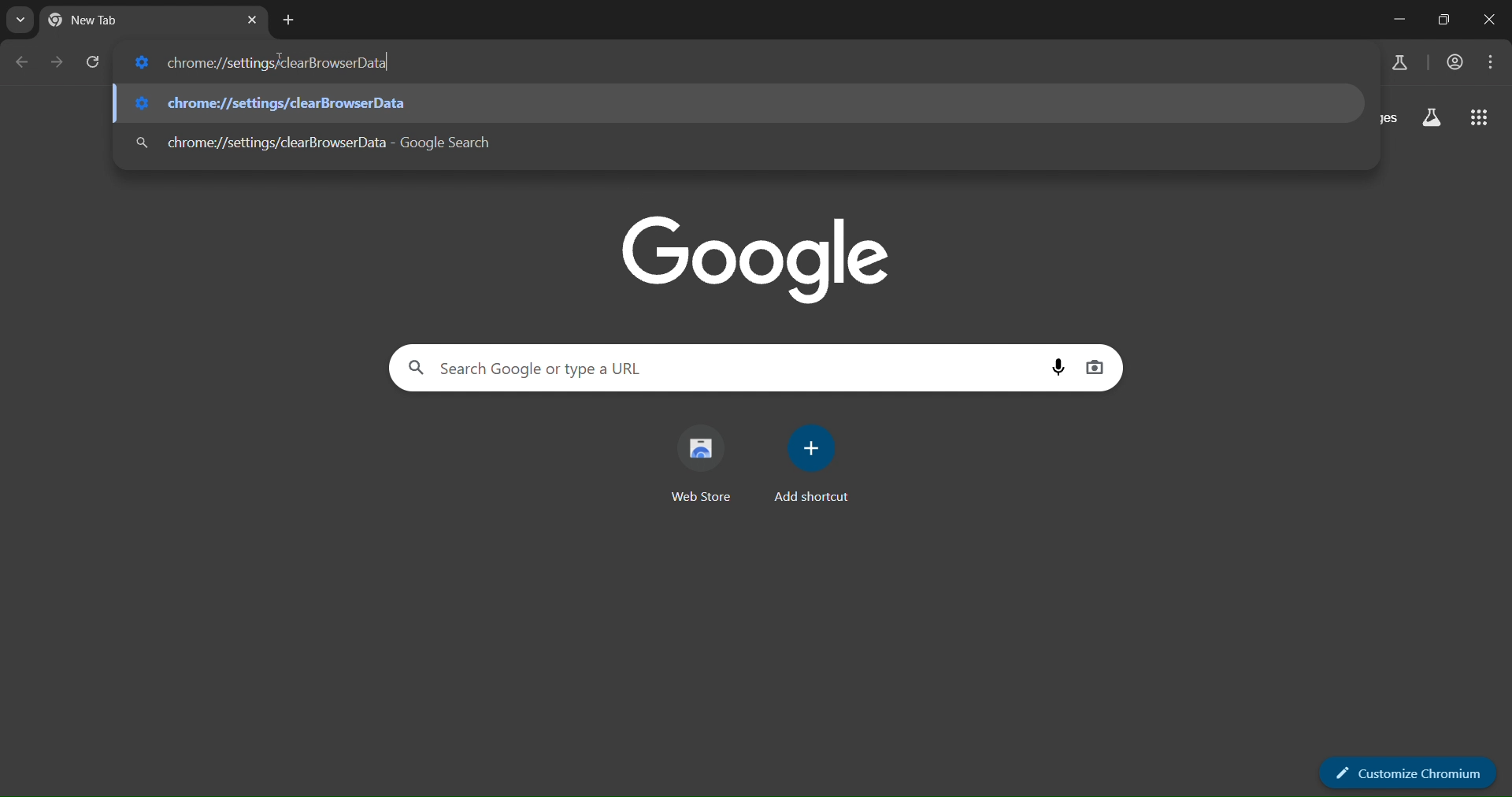 This screenshot has height=797, width=1512. Describe the element at coordinates (280, 65) in the screenshot. I see `cursor` at that location.